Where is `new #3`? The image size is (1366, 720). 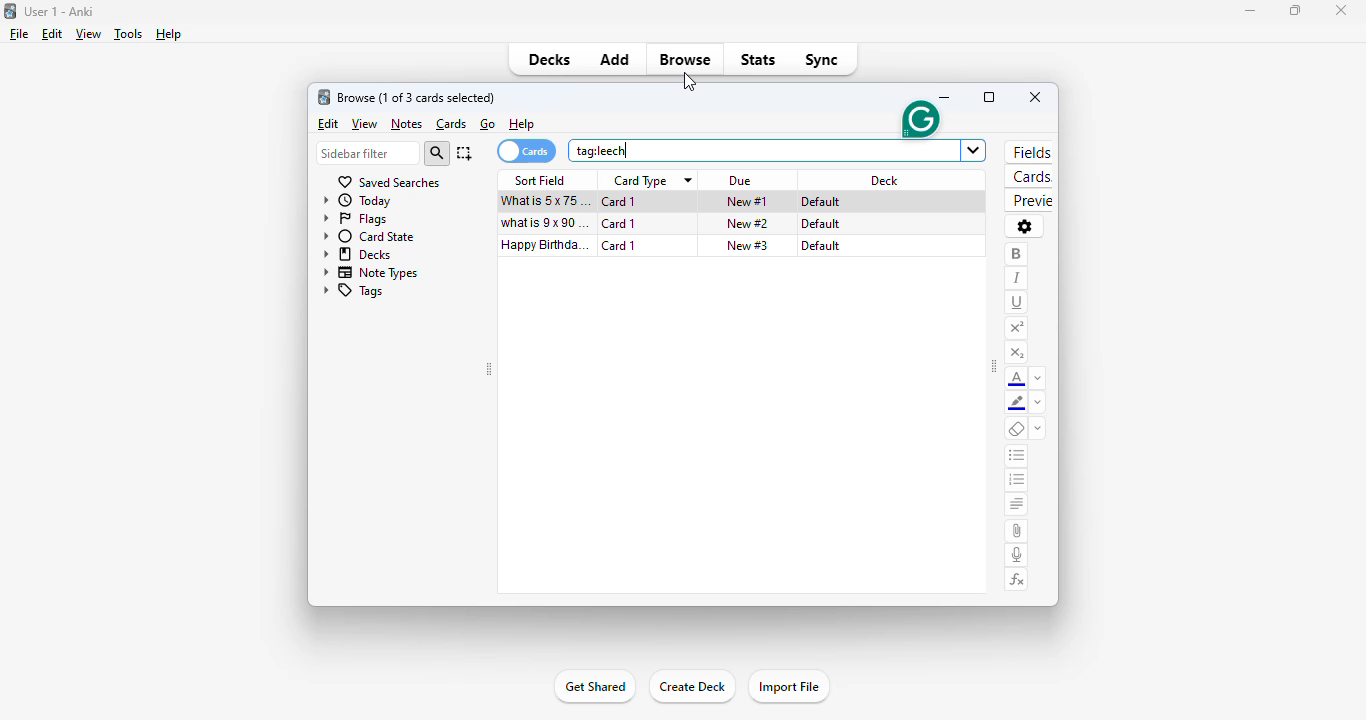 new #3 is located at coordinates (748, 245).